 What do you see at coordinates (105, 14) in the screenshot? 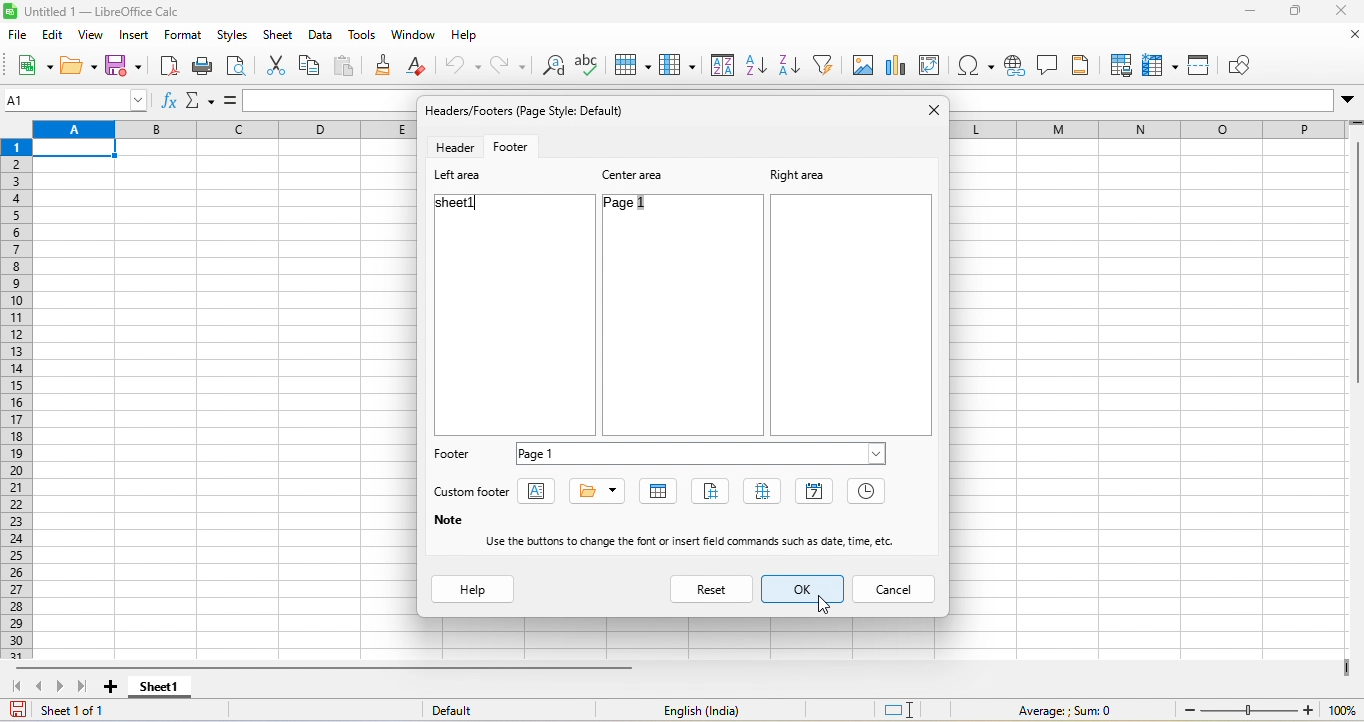
I see `title` at bounding box center [105, 14].